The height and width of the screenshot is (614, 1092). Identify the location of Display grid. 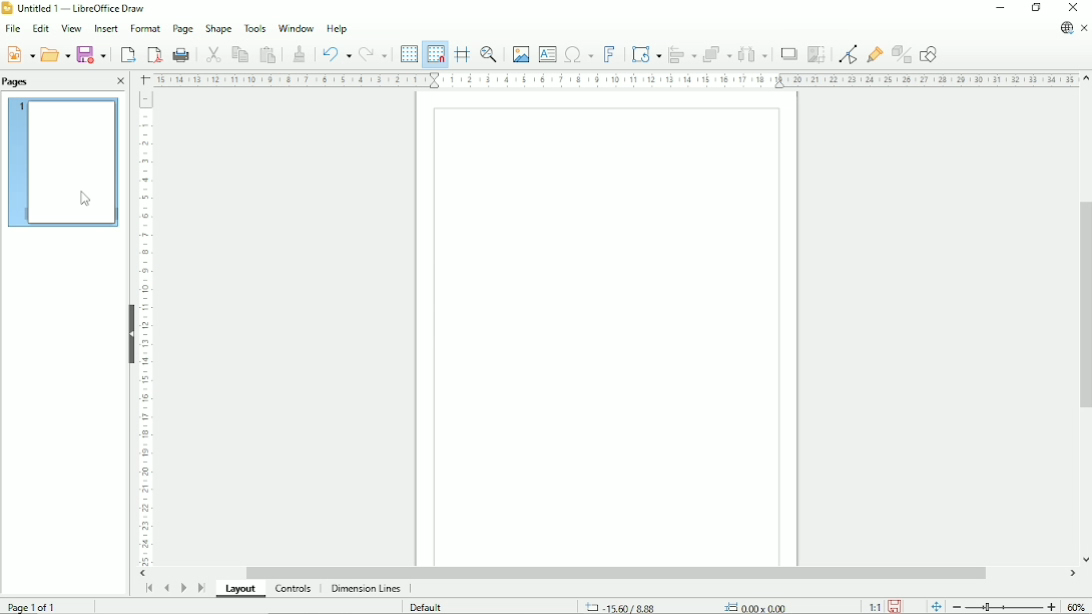
(408, 53).